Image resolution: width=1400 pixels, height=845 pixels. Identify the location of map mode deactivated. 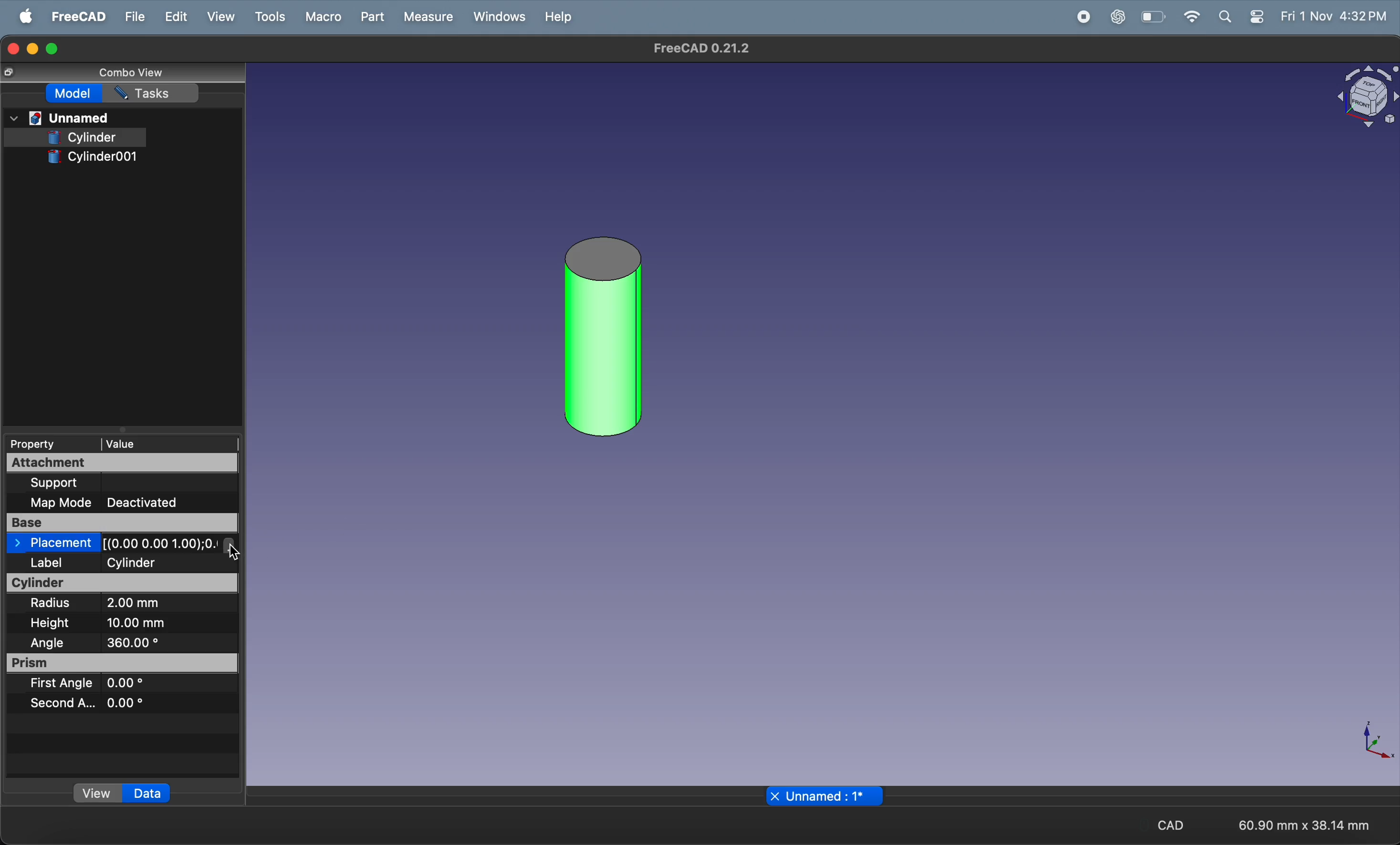
(113, 503).